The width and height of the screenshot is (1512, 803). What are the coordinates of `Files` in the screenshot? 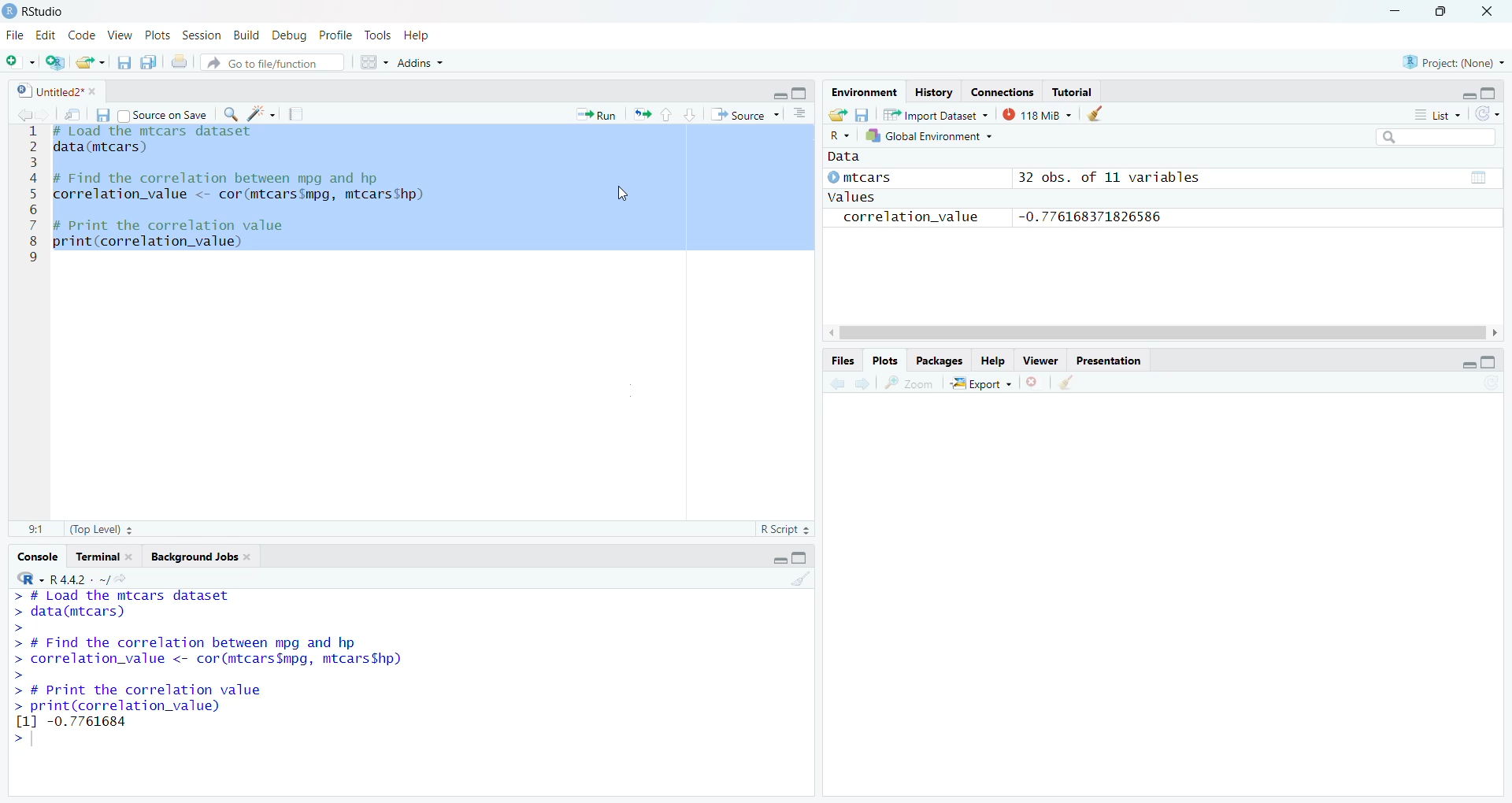 It's located at (843, 361).